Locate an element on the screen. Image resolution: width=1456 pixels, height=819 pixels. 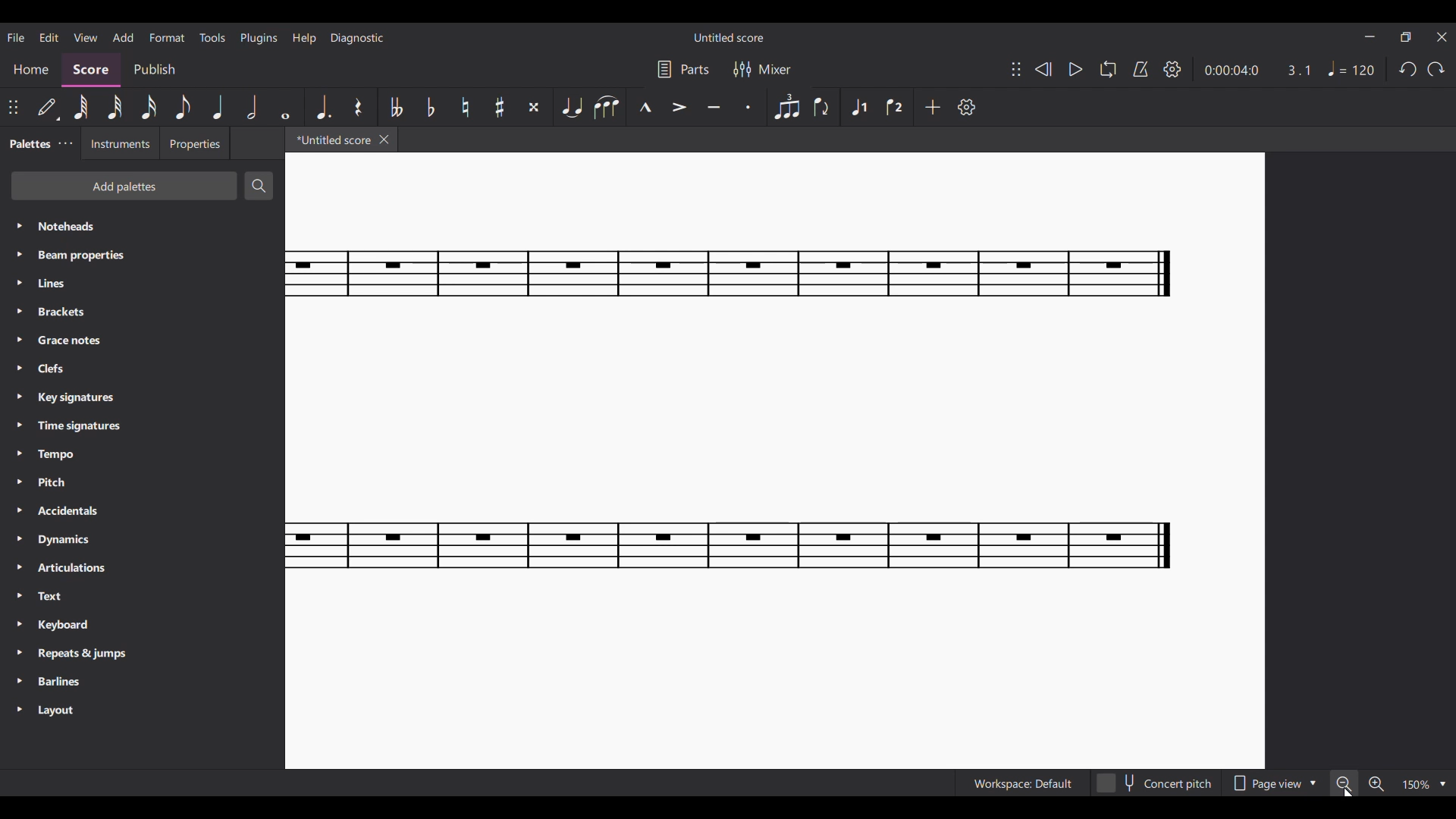
Toggle double flat is located at coordinates (396, 108).